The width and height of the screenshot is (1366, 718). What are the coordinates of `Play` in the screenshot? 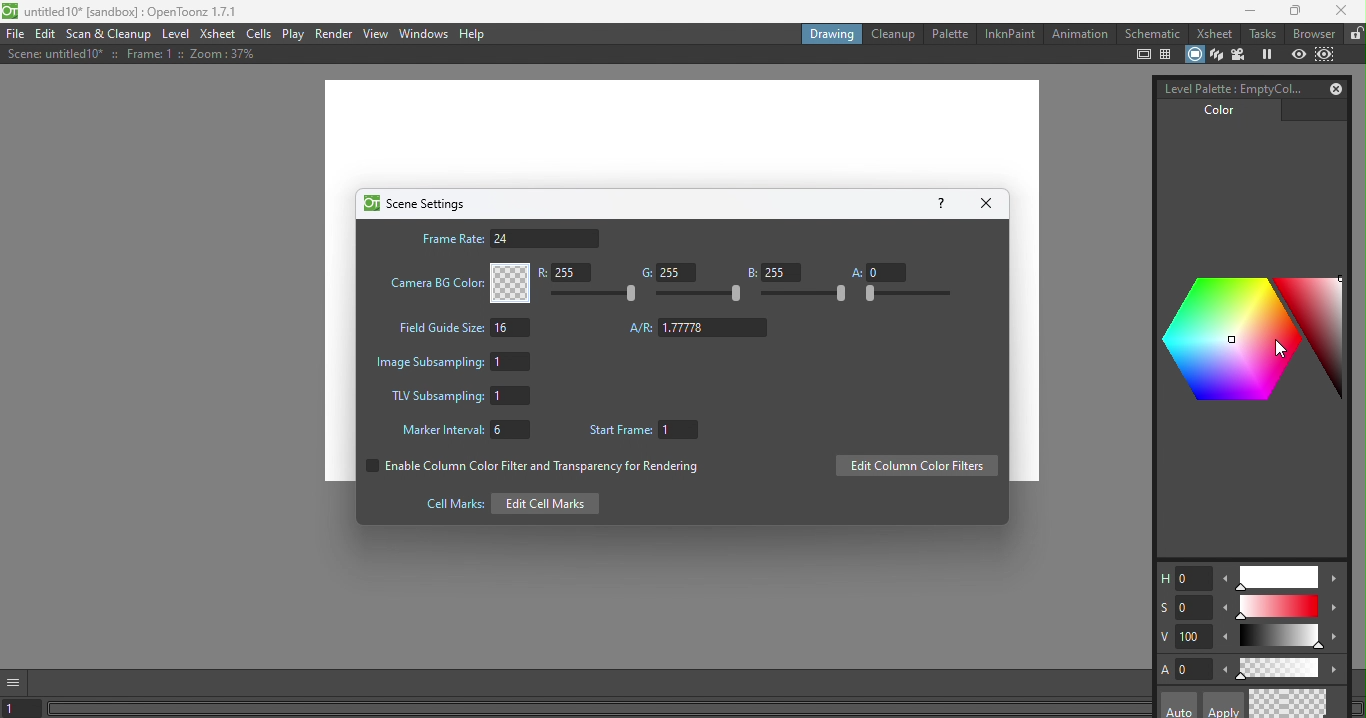 It's located at (294, 34).